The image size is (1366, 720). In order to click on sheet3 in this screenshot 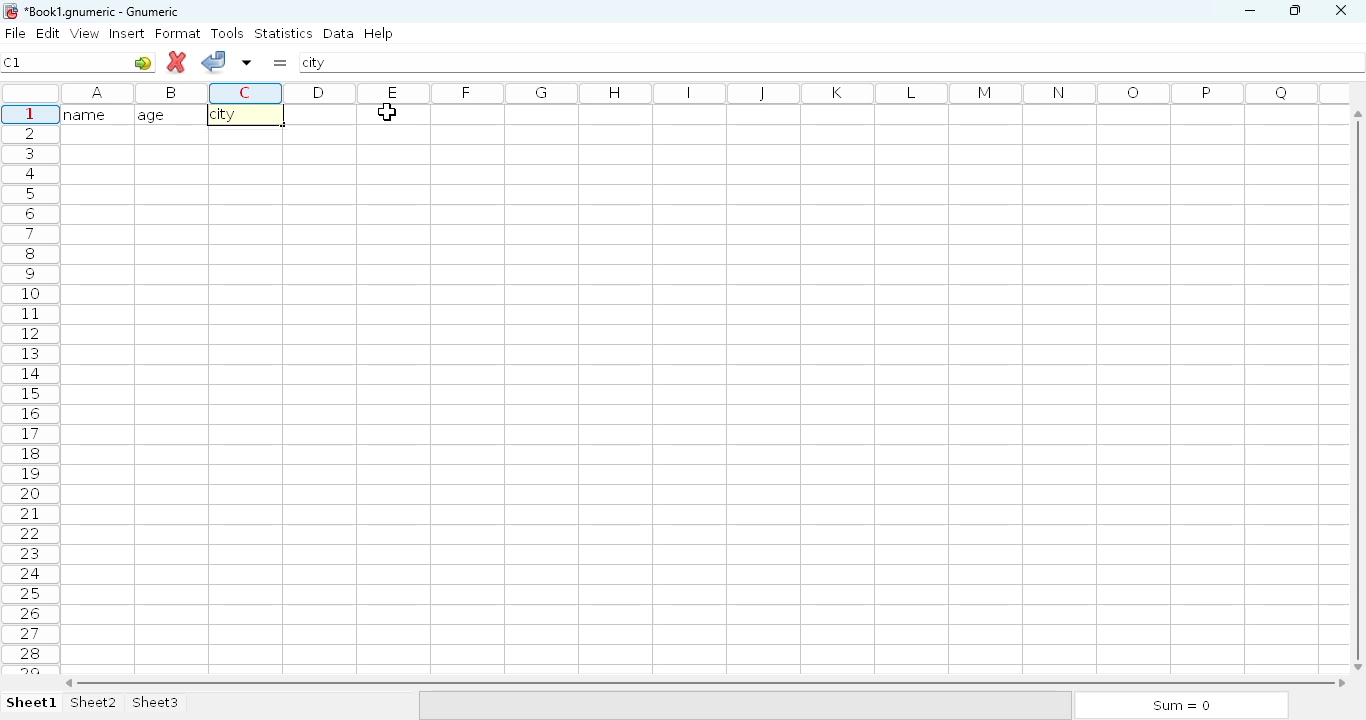, I will do `click(155, 703)`.